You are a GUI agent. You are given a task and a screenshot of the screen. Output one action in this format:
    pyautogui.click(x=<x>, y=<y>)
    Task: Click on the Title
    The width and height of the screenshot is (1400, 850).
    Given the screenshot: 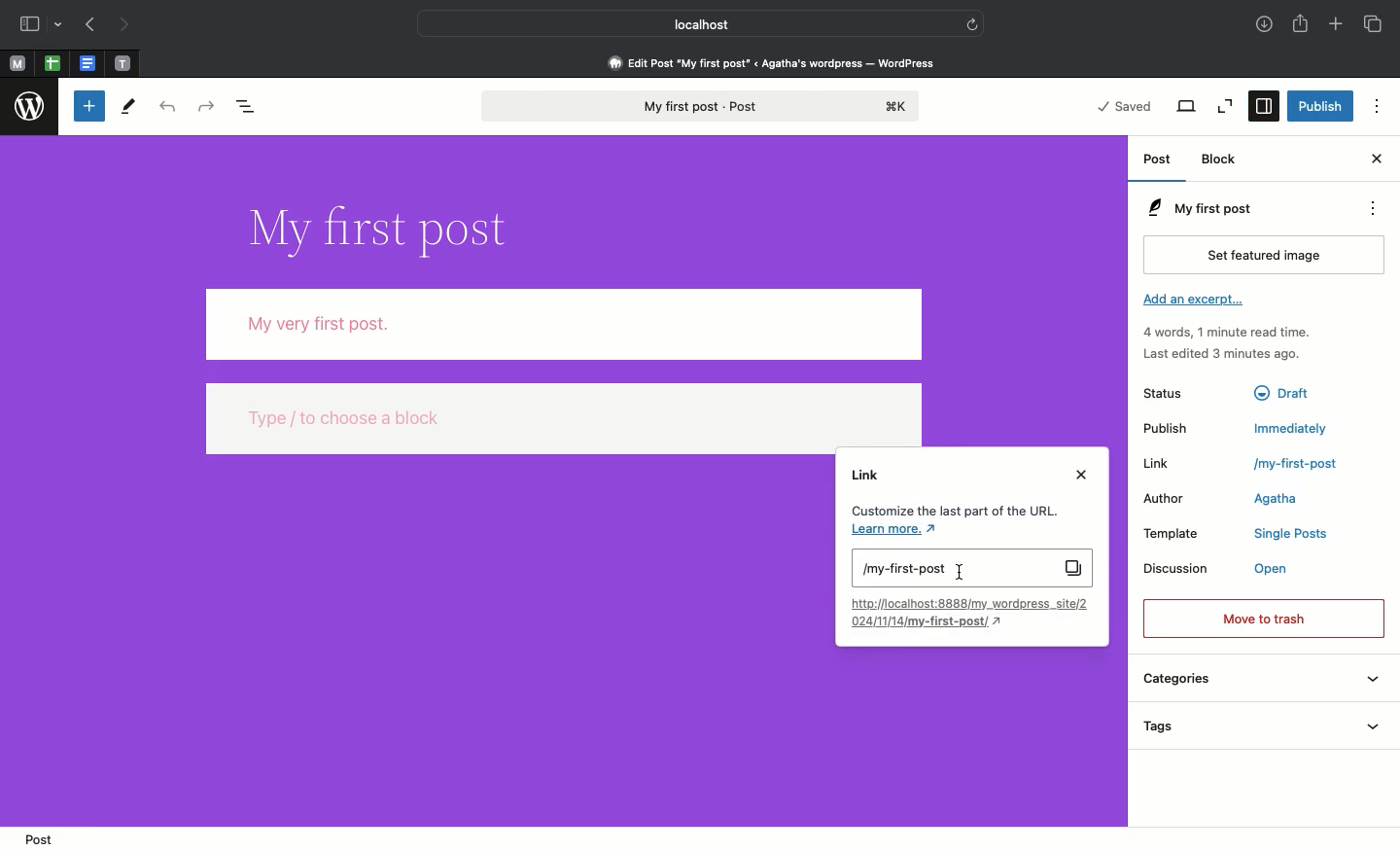 What is the action you would take?
    pyautogui.click(x=389, y=230)
    